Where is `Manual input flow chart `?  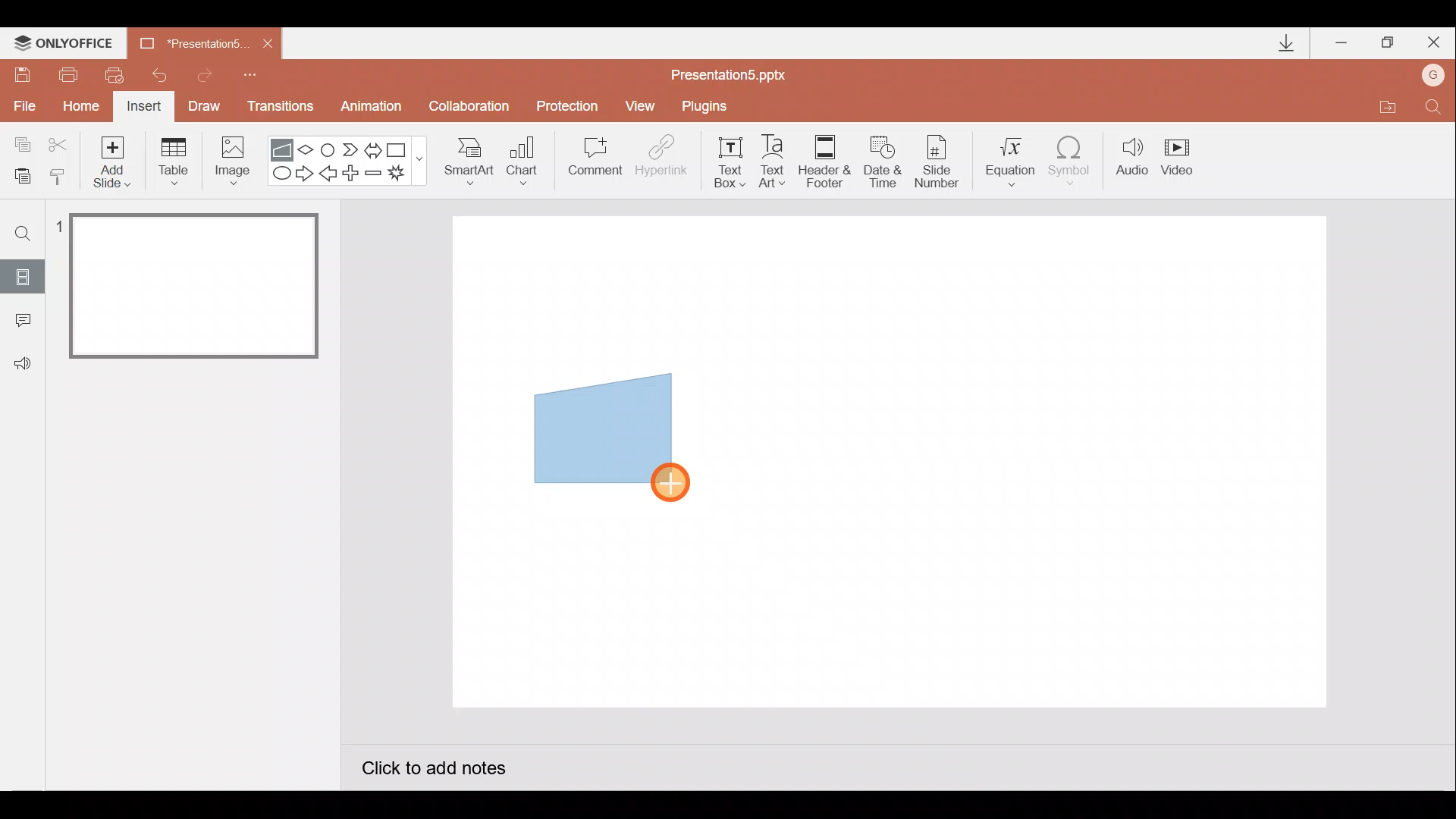 Manual input flow chart  is located at coordinates (600, 426).